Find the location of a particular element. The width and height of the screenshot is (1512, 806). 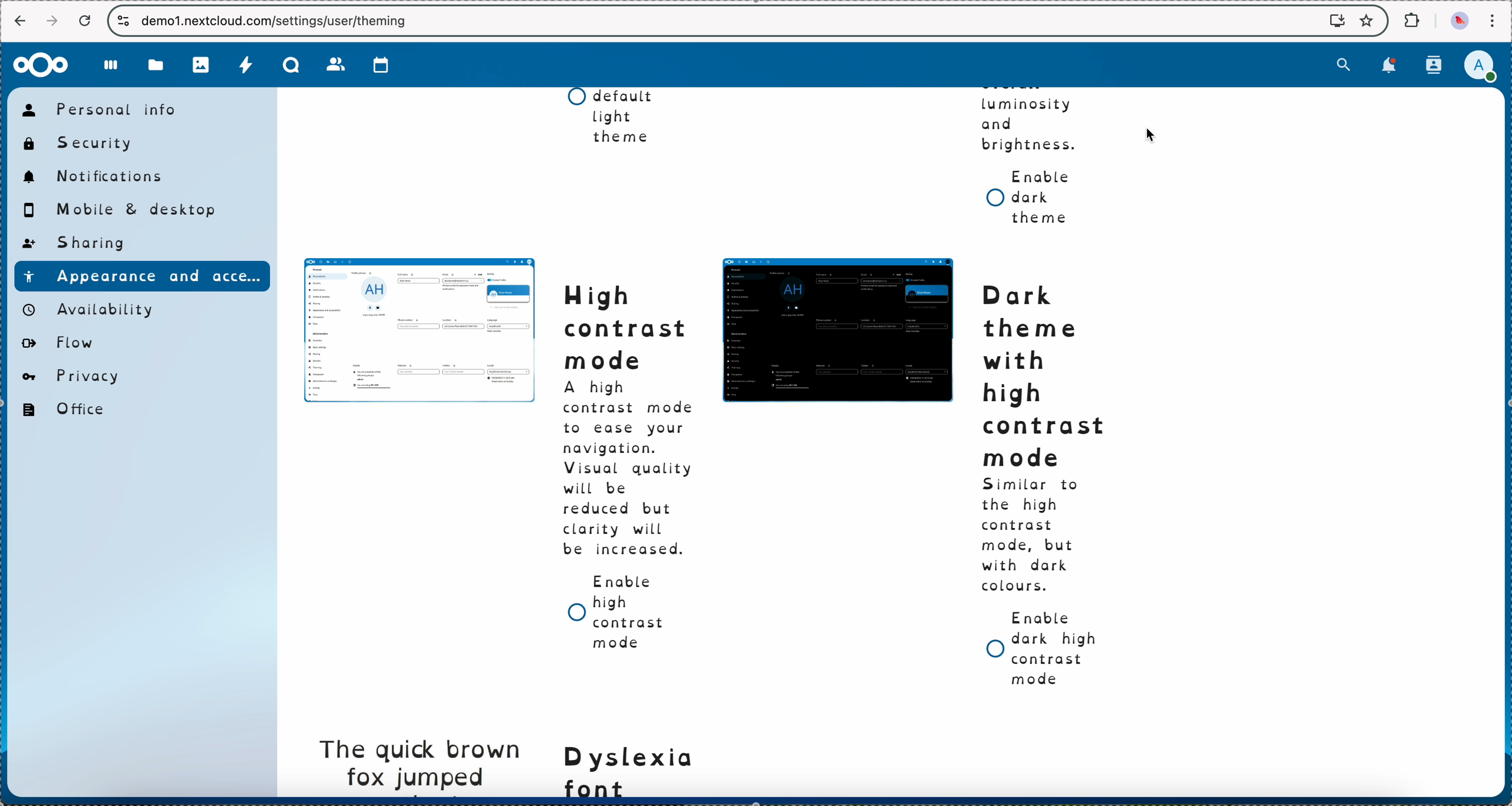

extensions is located at coordinates (1410, 21).